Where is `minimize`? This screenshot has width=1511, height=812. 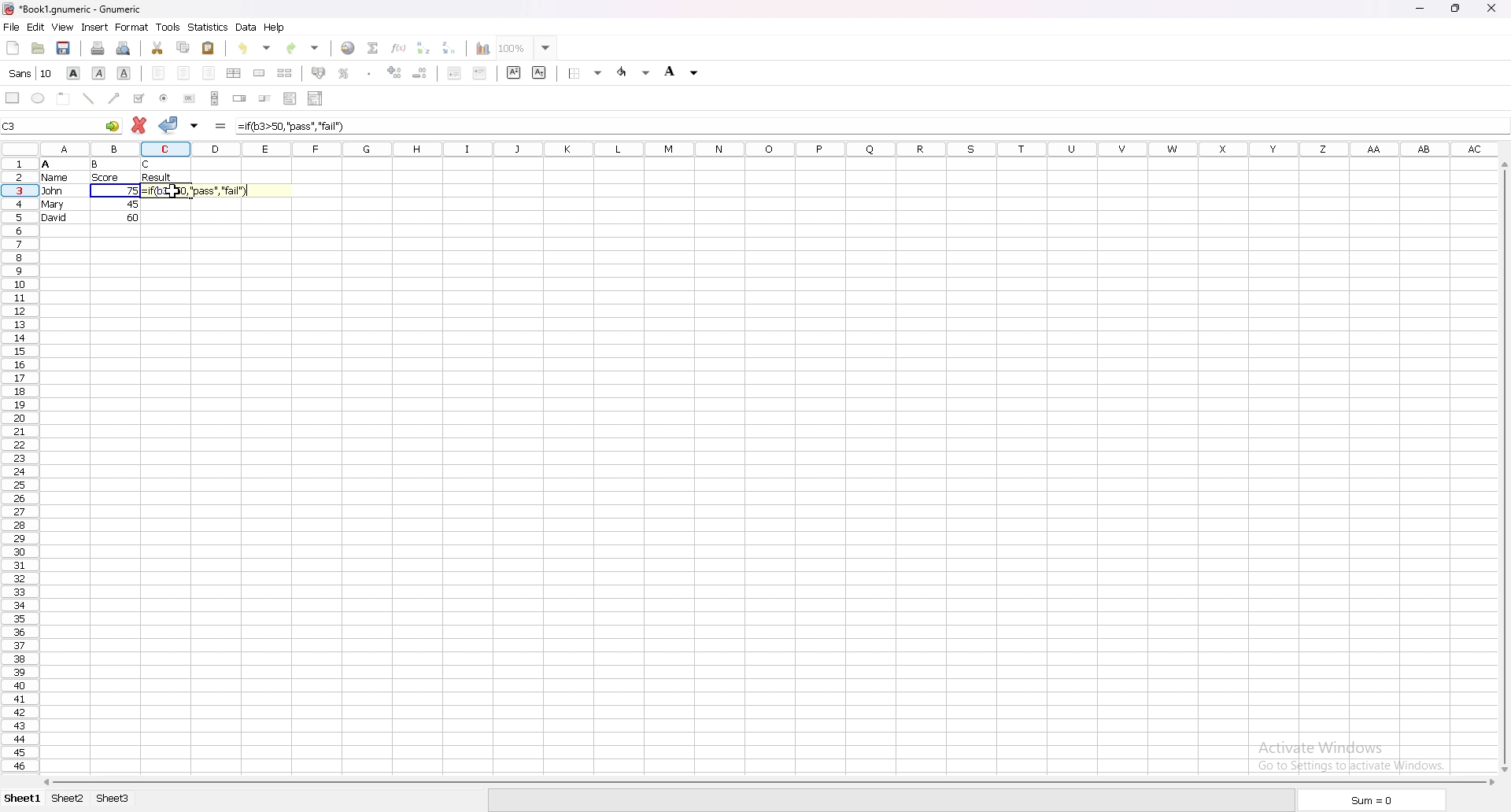 minimize is located at coordinates (1420, 8).